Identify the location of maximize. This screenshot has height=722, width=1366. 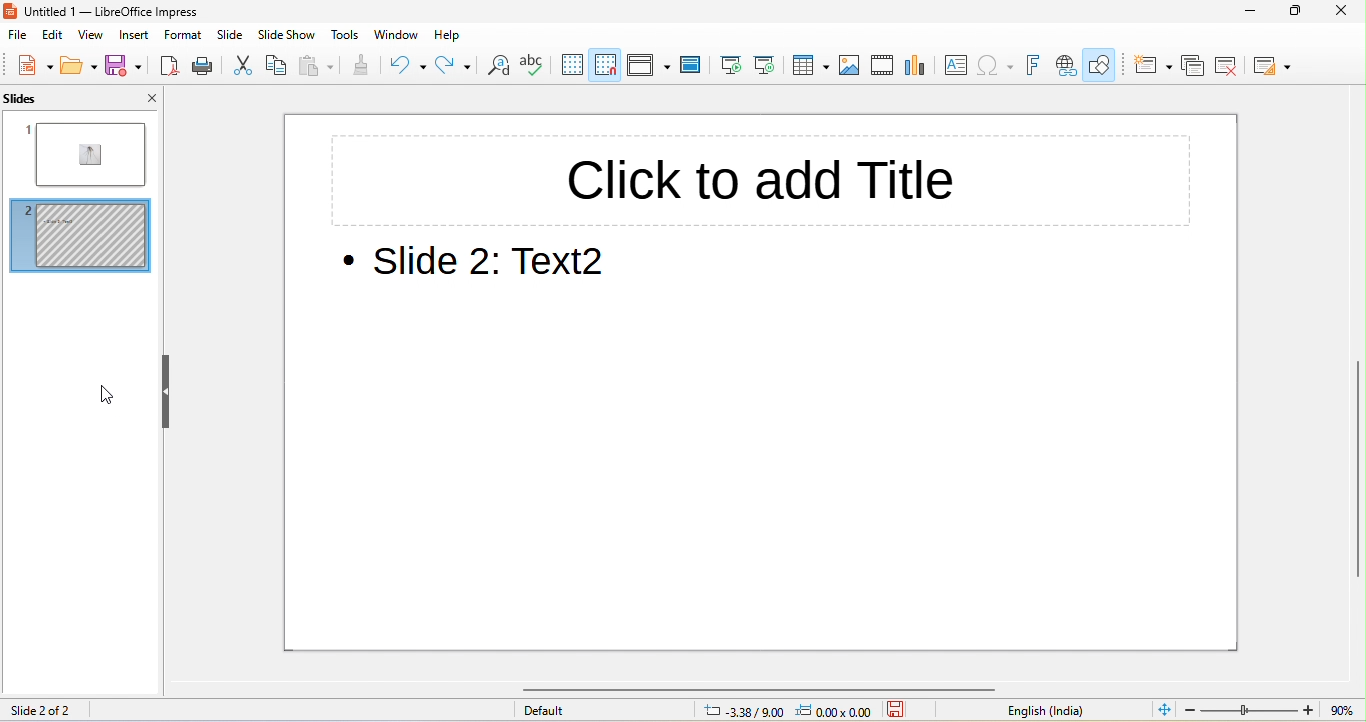
(1295, 10).